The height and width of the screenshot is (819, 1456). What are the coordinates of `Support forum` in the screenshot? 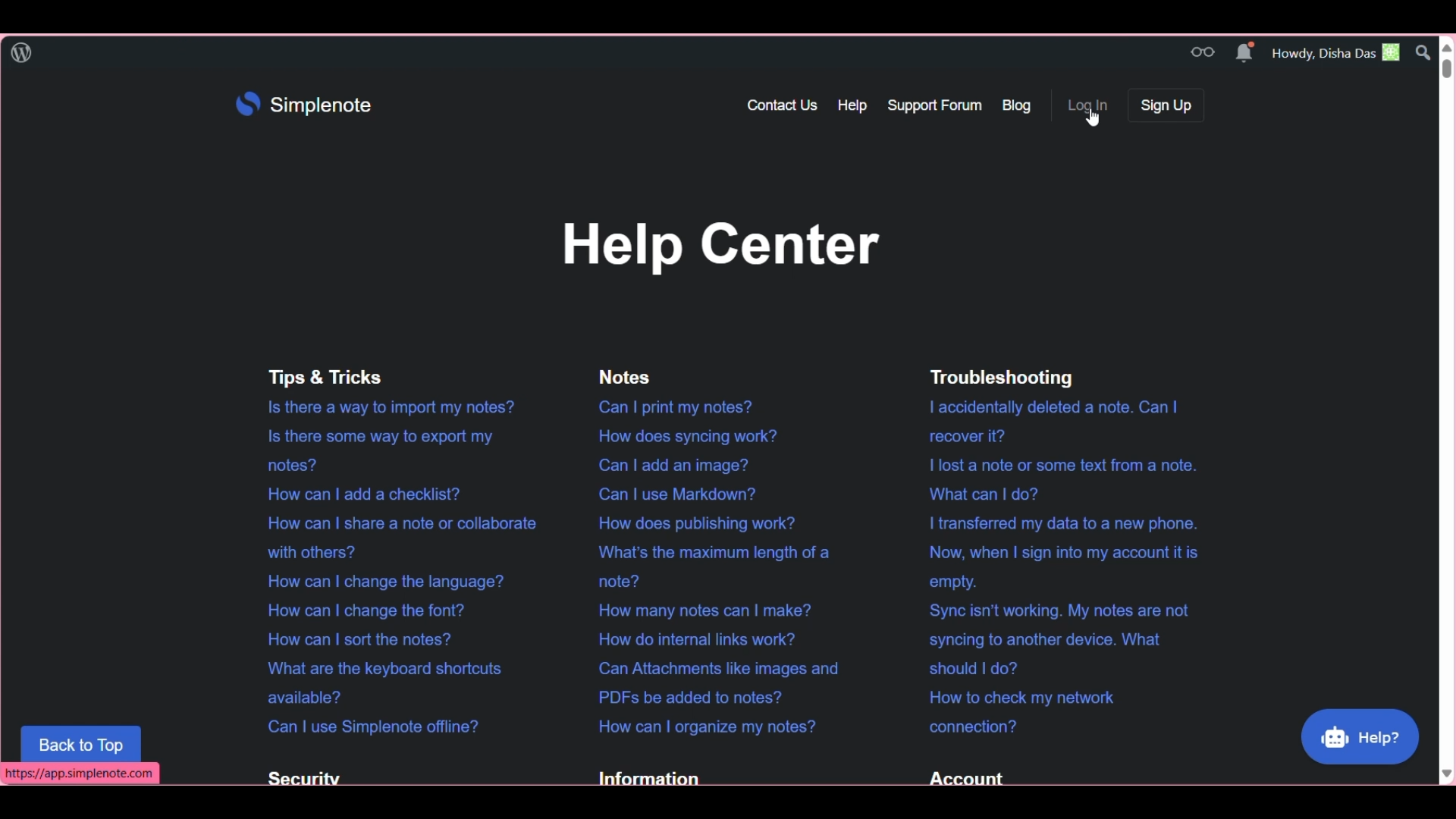 It's located at (935, 105).